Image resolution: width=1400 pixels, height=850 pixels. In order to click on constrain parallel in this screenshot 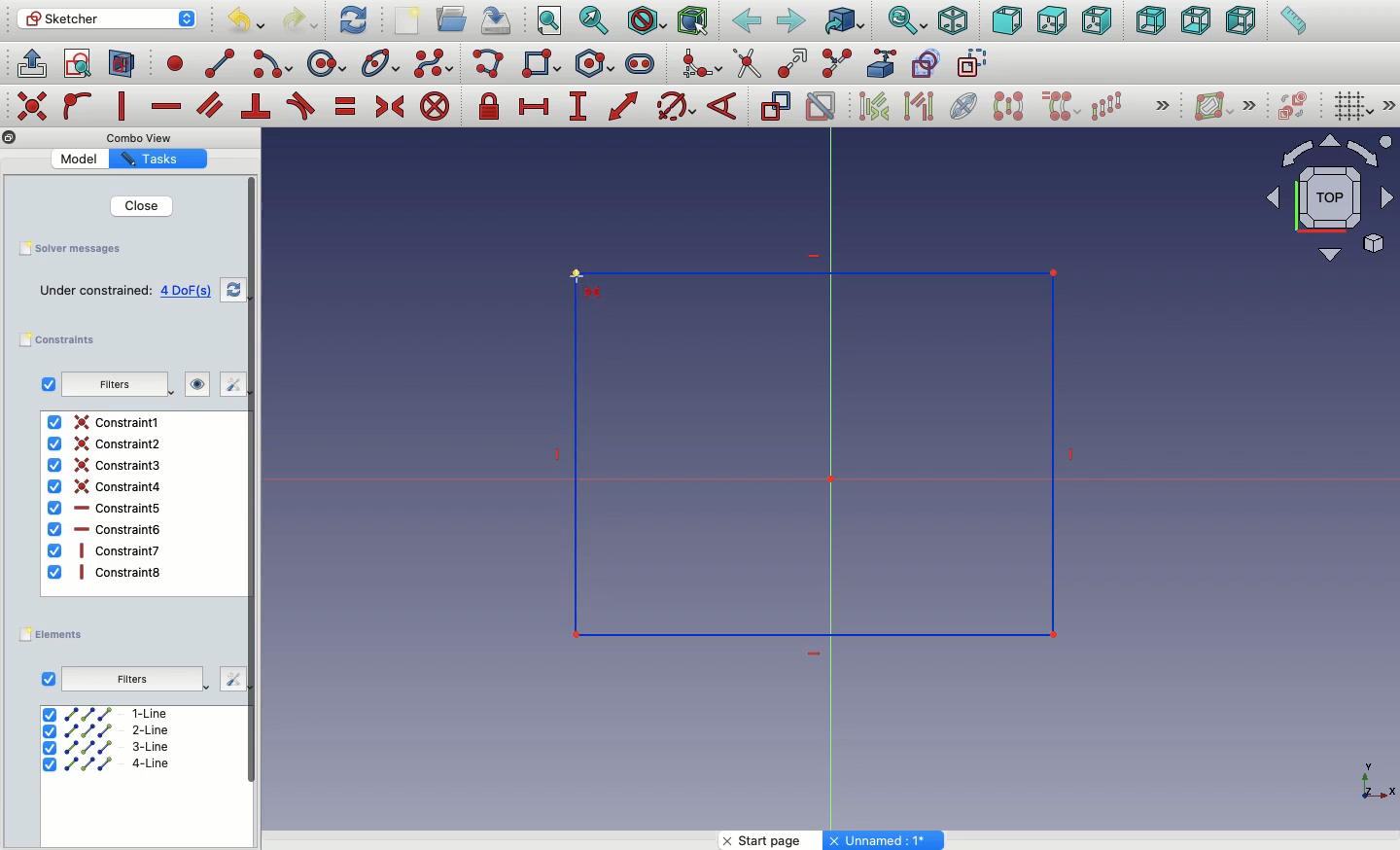, I will do `click(211, 105)`.